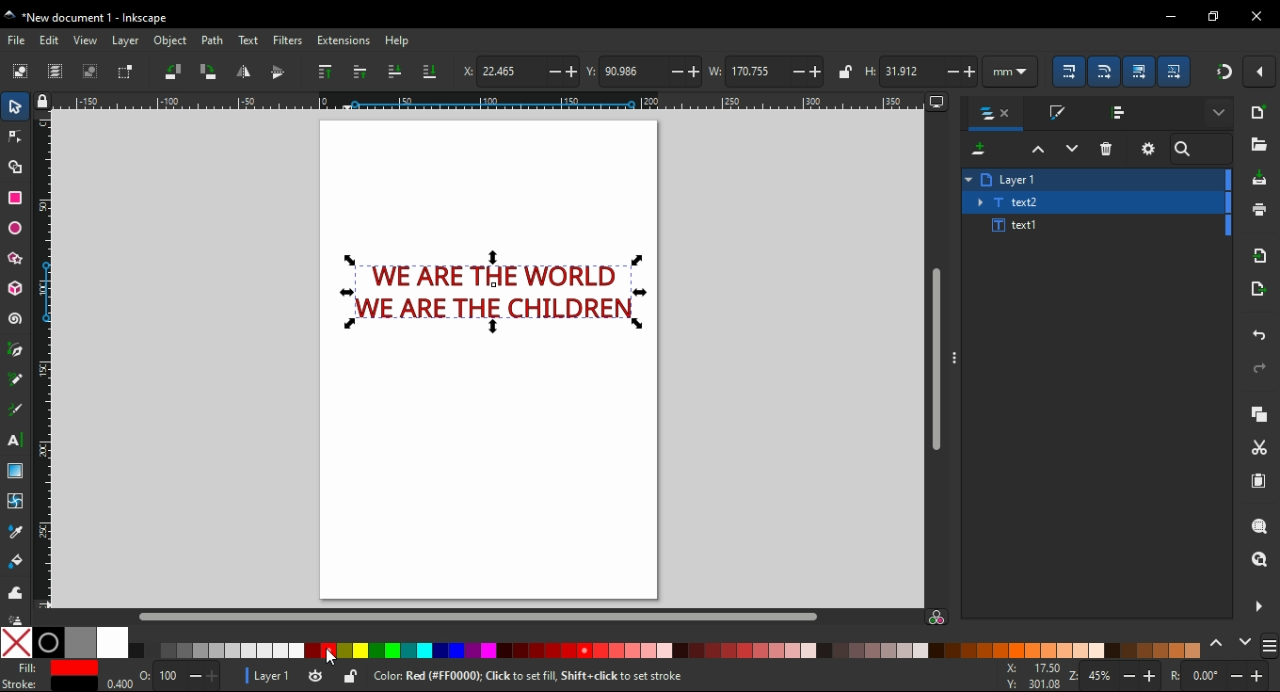 This screenshot has width=1280, height=692. What do you see at coordinates (395, 71) in the screenshot?
I see `lower` at bounding box center [395, 71].